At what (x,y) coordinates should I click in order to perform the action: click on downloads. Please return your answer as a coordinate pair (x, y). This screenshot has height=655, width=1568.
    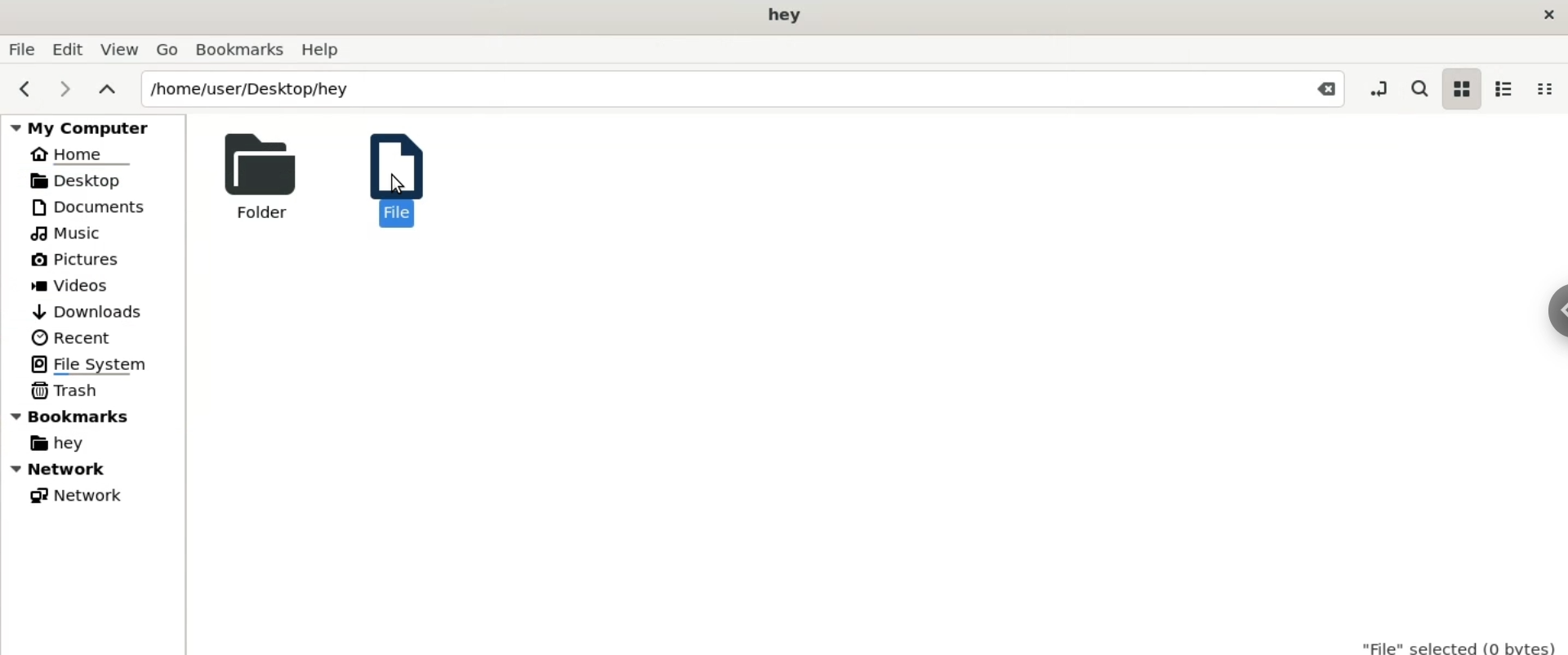
    Looking at the image, I should click on (87, 312).